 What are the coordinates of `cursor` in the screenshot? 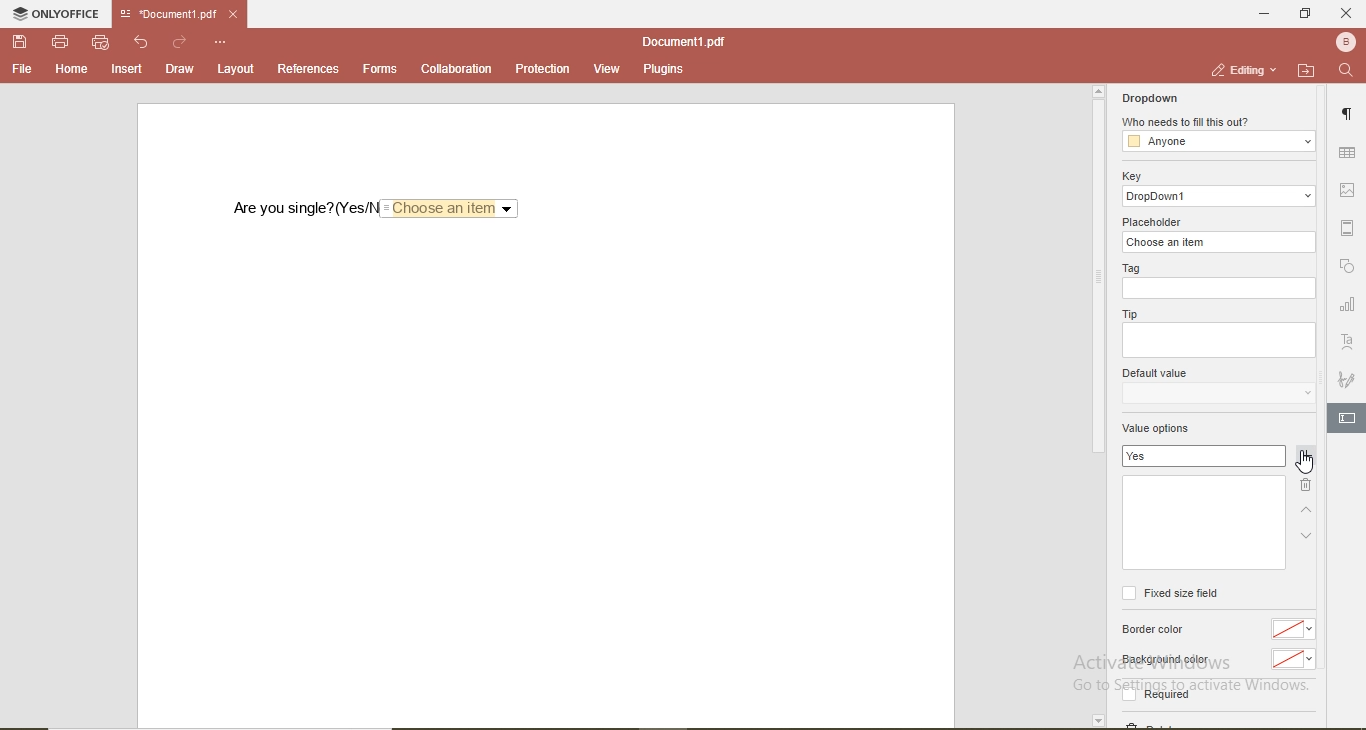 It's located at (1302, 464).